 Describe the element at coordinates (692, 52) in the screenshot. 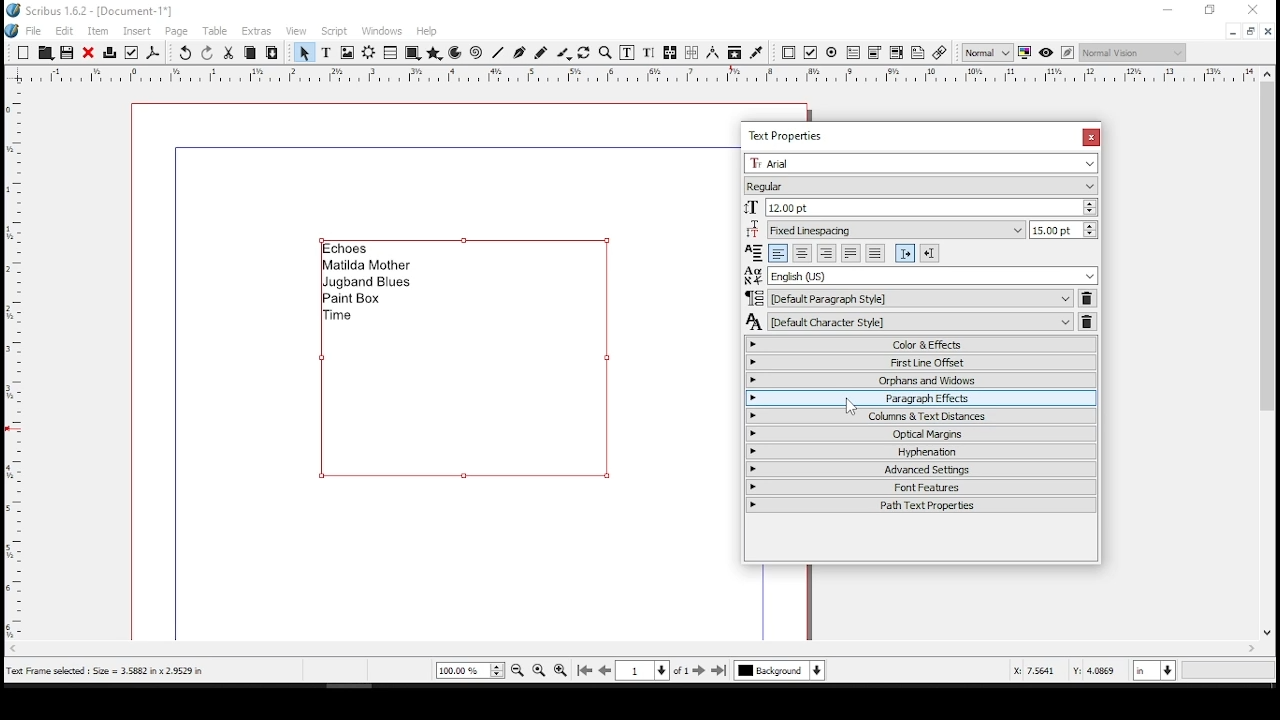

I see `unlink text frames` at that location.